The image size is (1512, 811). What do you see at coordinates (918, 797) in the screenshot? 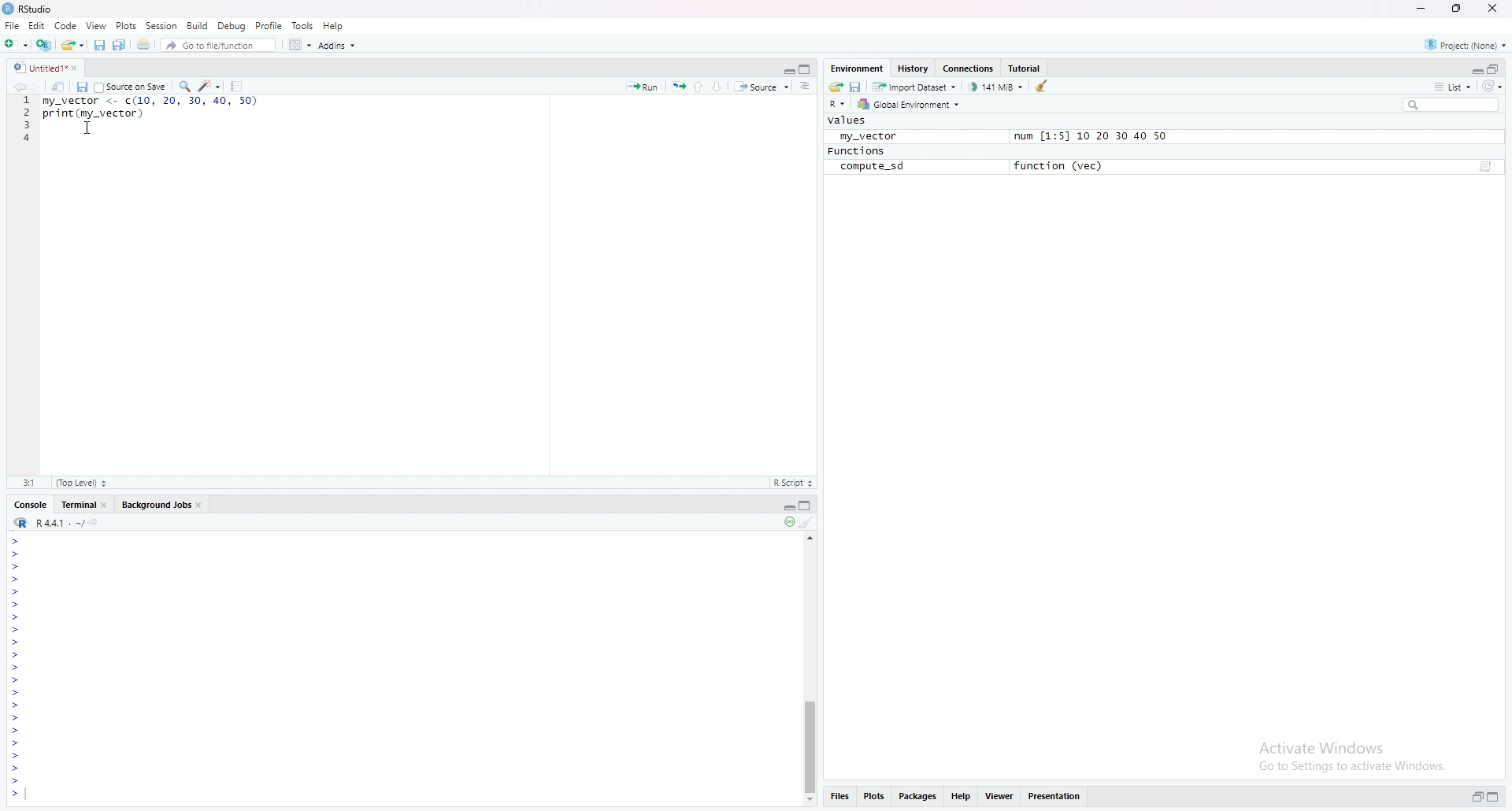
I see `Packages` at bounding box center [918, 797].